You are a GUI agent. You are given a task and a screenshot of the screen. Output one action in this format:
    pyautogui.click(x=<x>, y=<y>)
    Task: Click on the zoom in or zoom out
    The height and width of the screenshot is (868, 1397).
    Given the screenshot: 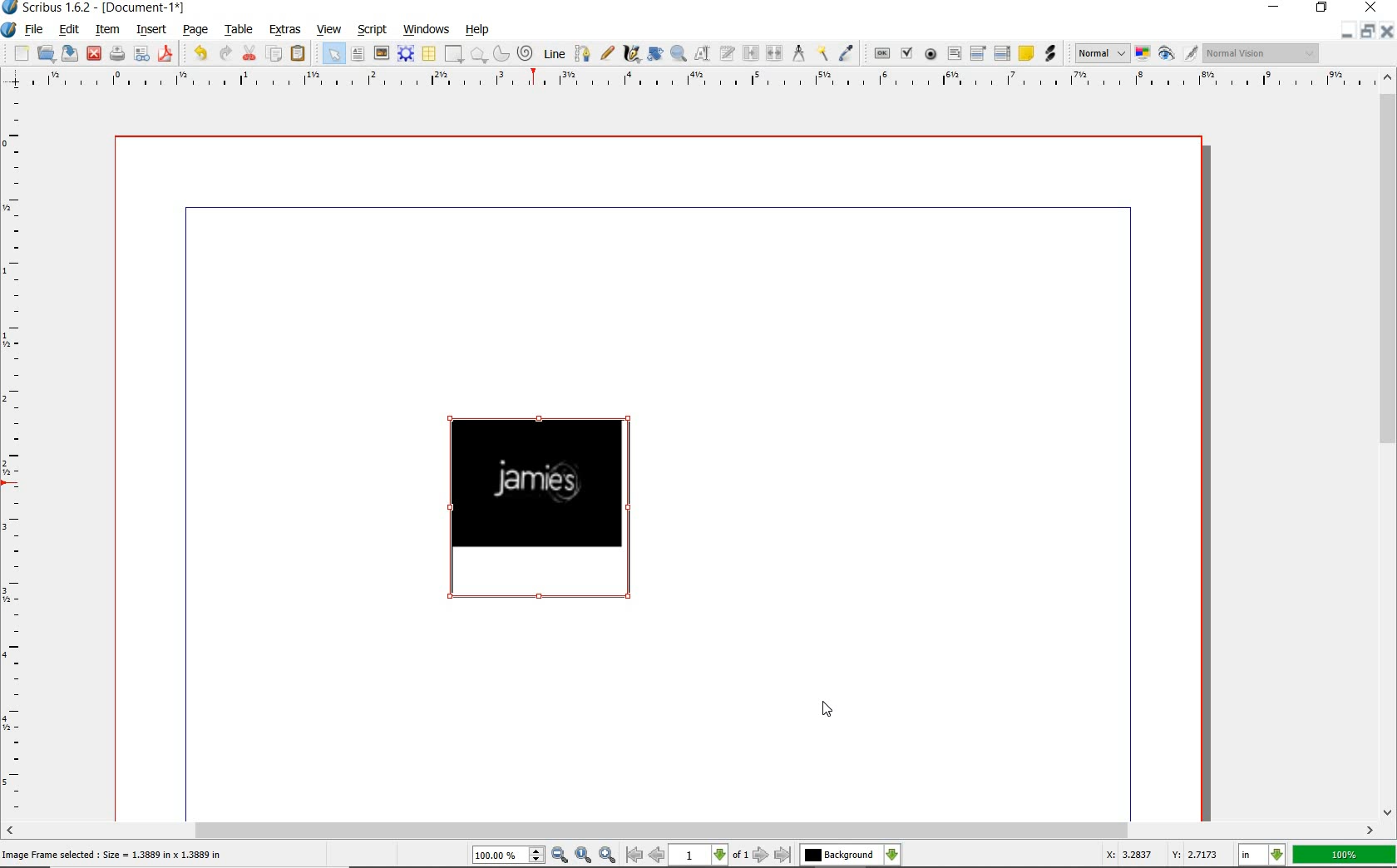 What is the action you would take?
    pyautogui.click(x=679, y=53)
    